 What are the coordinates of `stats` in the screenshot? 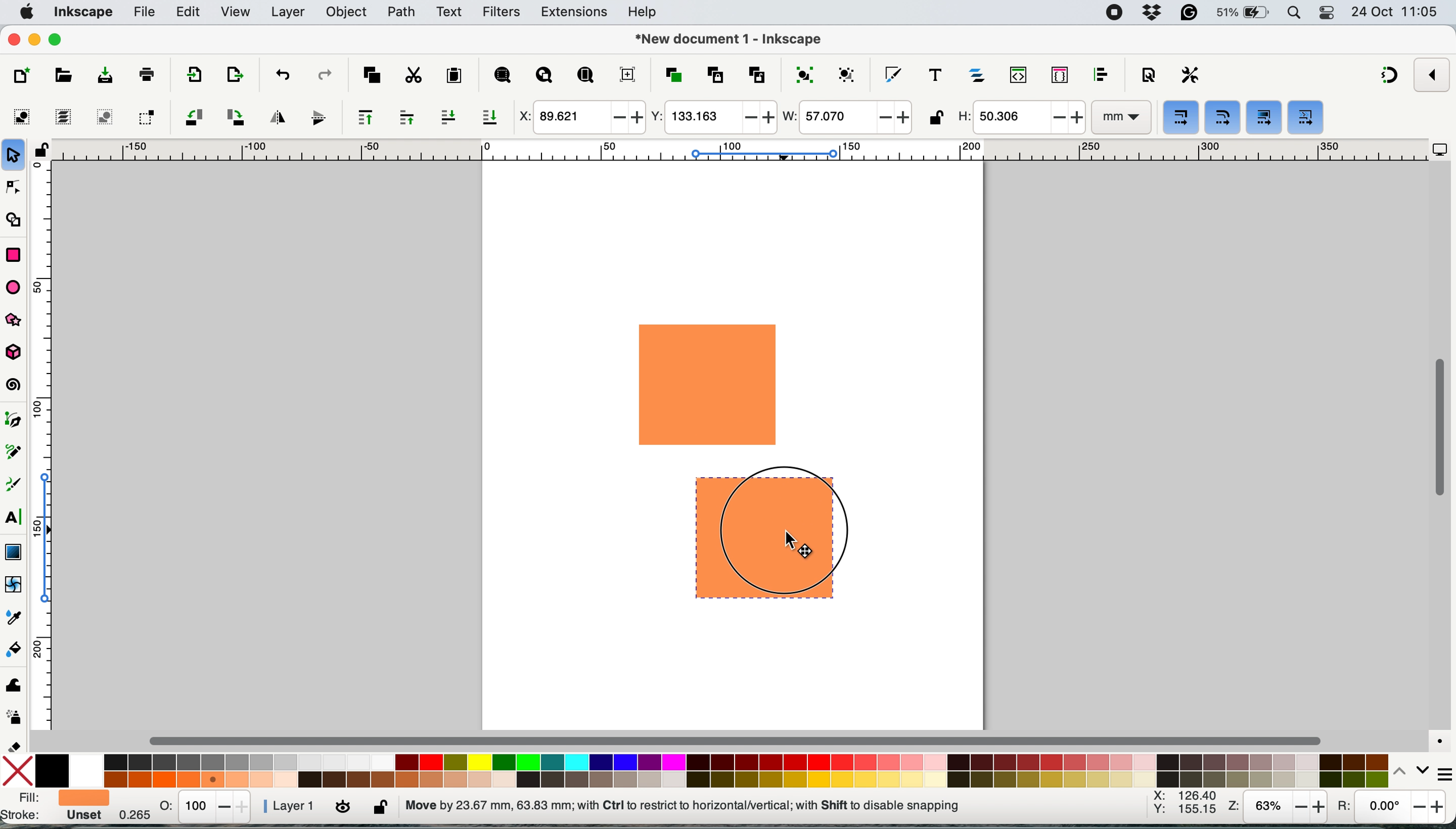 It's located at (206, 806).